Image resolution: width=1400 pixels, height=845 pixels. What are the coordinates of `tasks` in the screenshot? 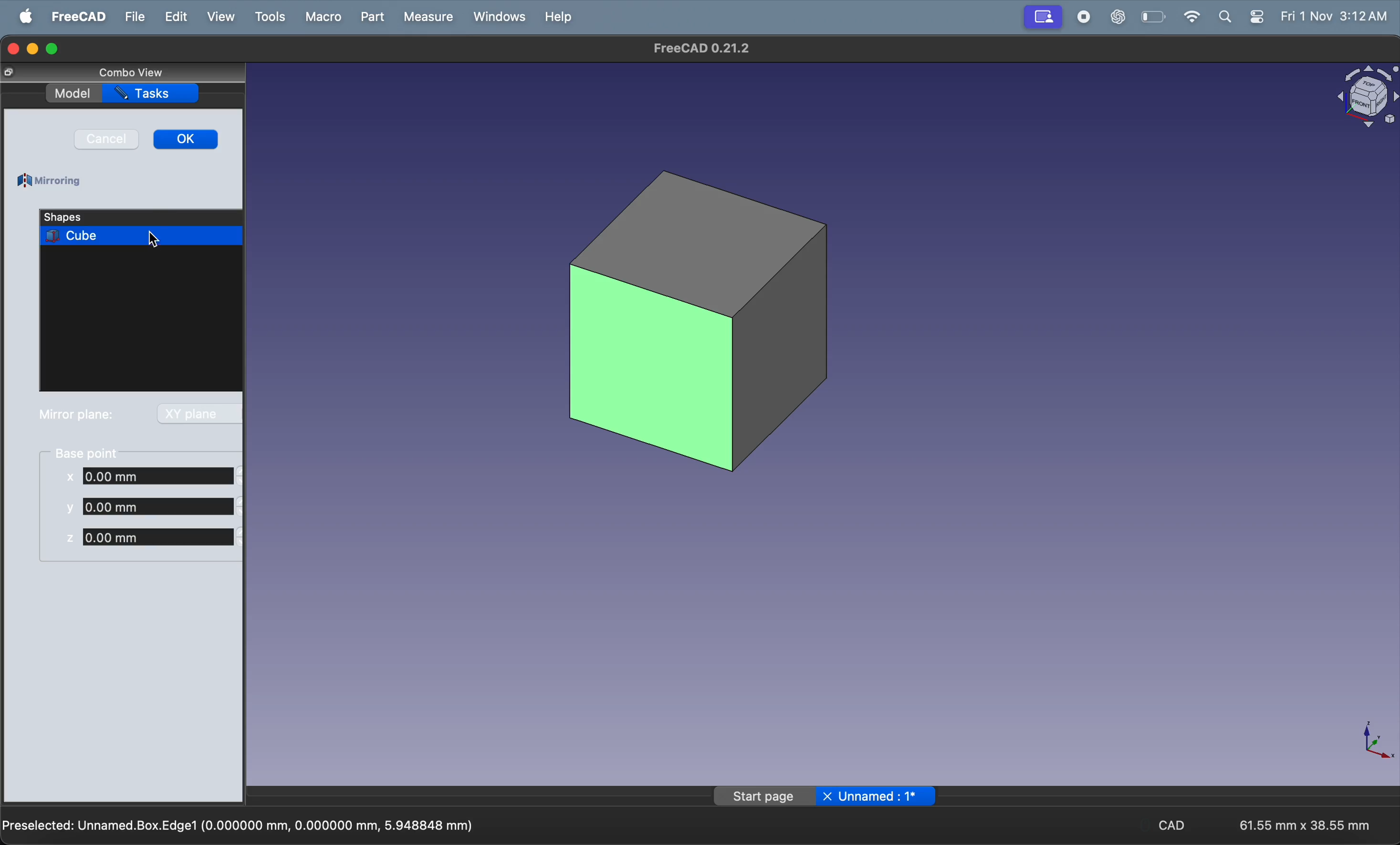 It's located at (151, 94).